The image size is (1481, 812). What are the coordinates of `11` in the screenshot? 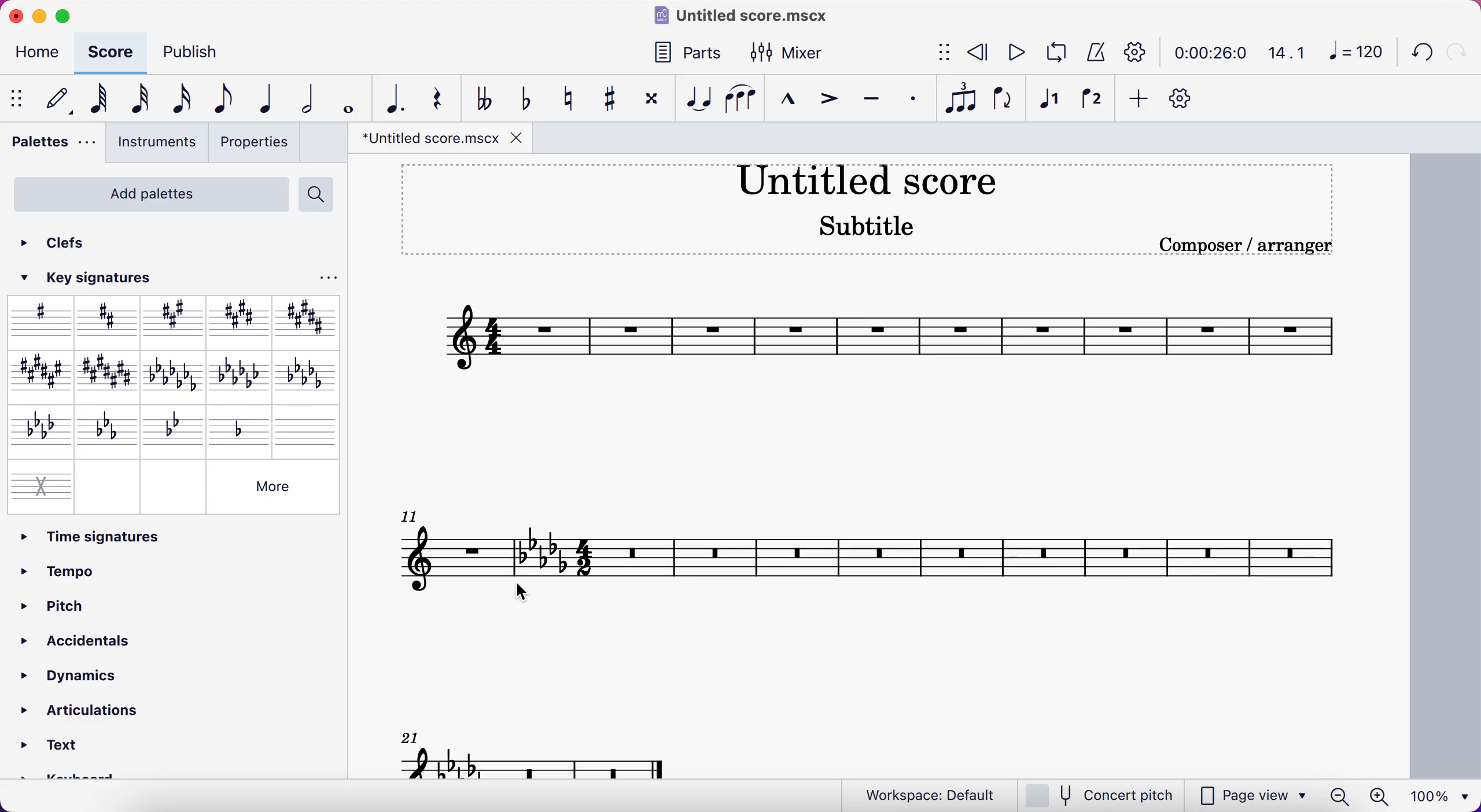 It's located at (407, 515).